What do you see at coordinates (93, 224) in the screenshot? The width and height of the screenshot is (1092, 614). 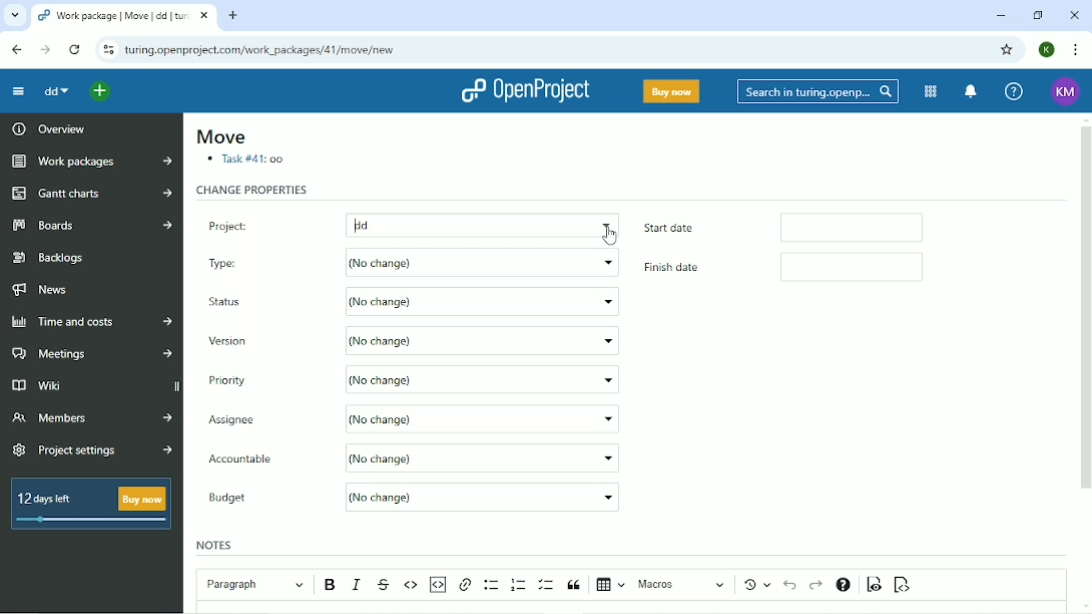 I see `Boards` at bounding box center [93, 224].